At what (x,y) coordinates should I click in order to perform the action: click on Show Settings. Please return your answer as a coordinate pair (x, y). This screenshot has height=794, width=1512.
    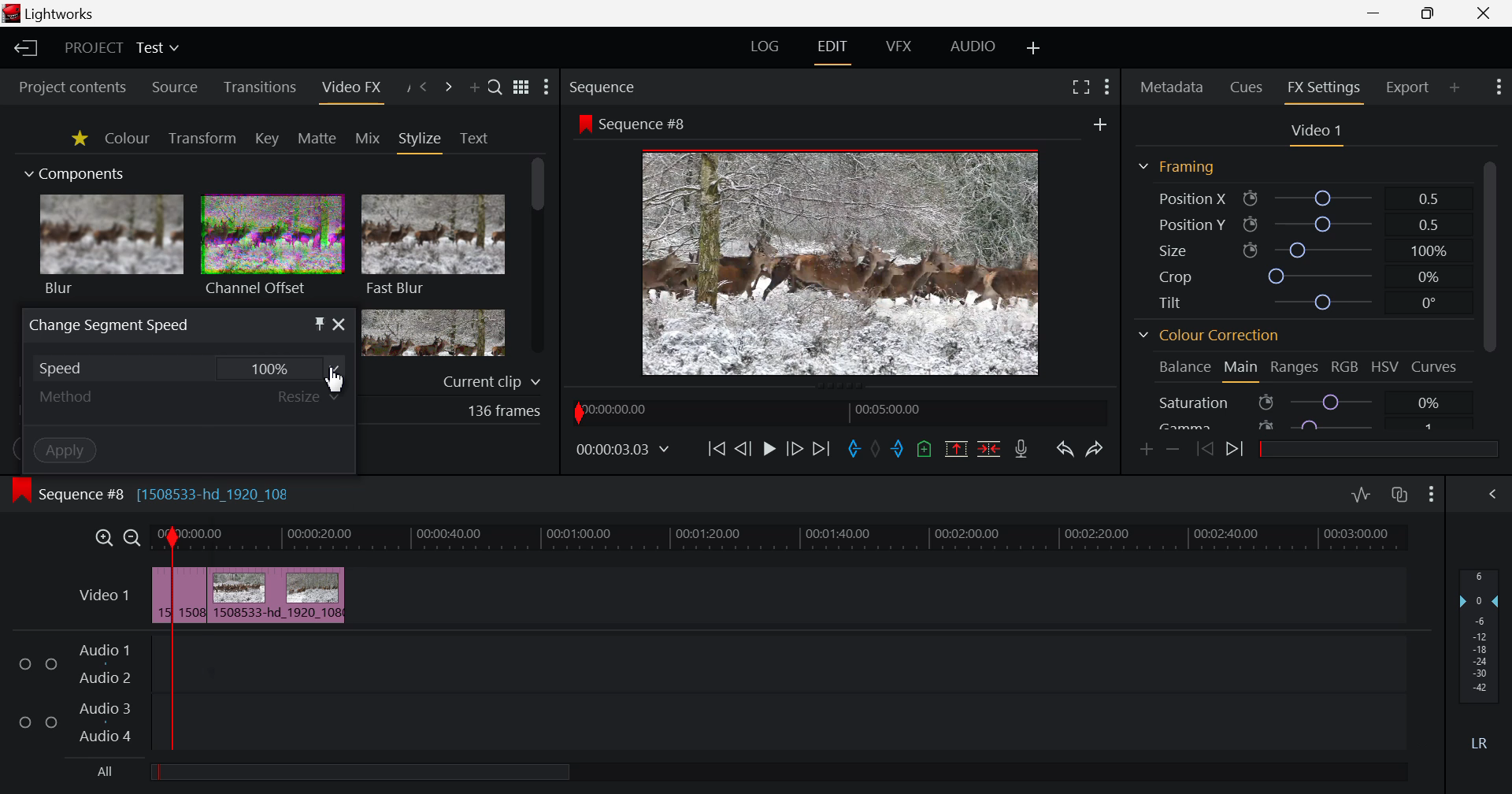
    Looking at the image, I should click on (1432, 496).